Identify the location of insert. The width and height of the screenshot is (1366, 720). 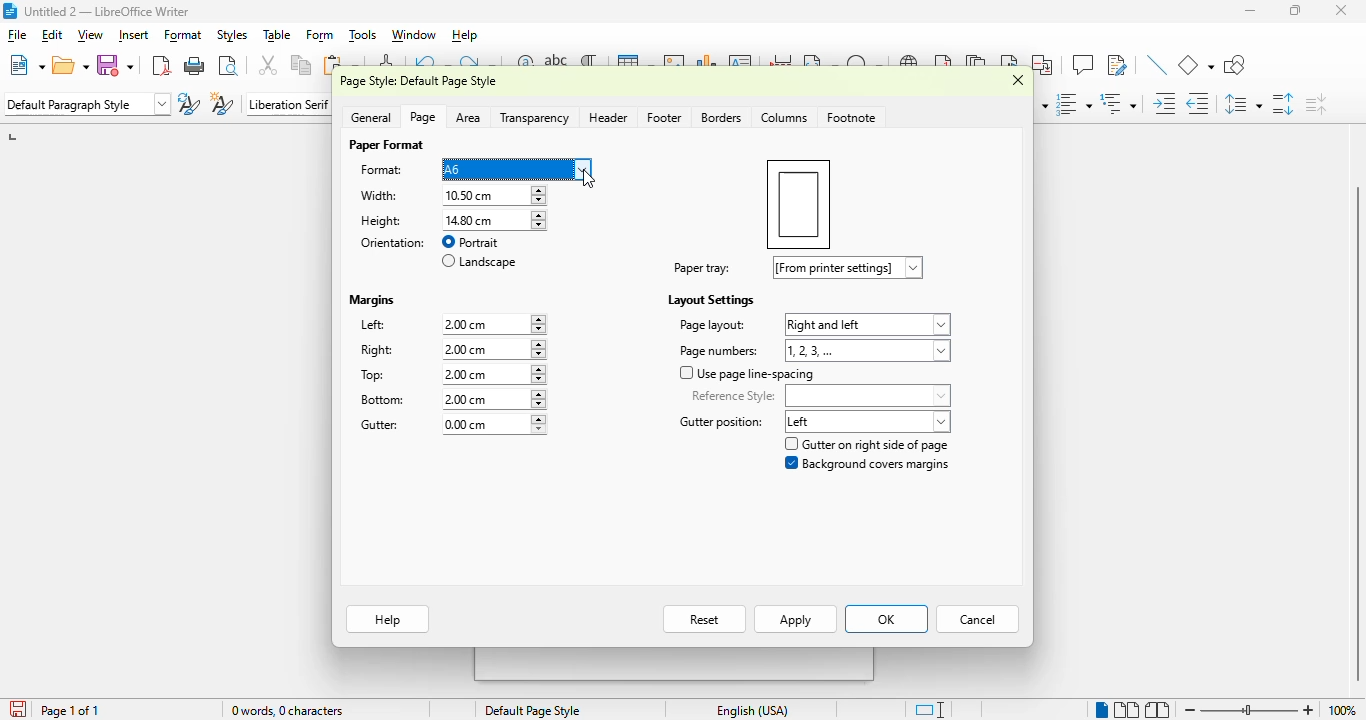
(134, 35).